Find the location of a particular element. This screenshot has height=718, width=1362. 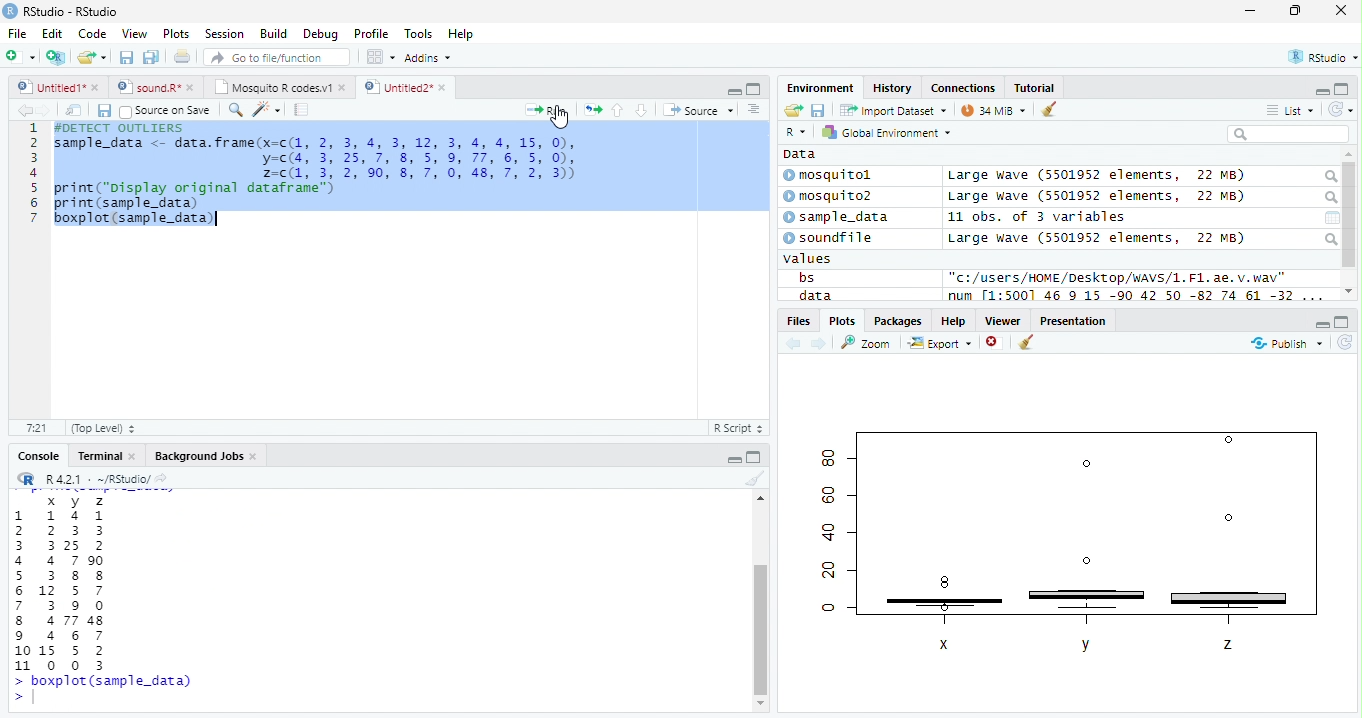

Addins is located at coordinates (430, 57).